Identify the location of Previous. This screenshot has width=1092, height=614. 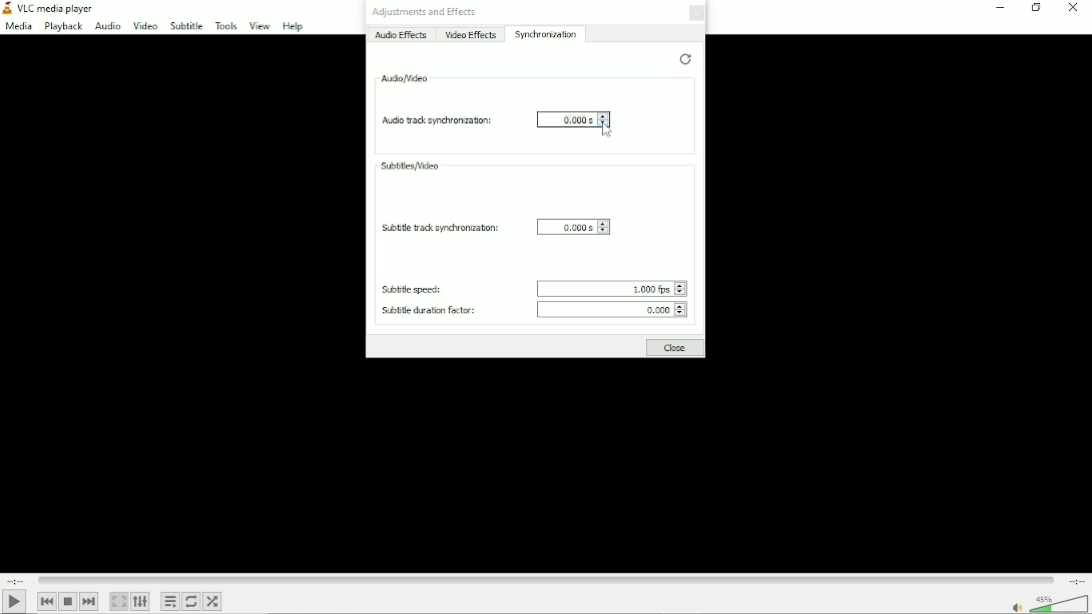
(47, 602).